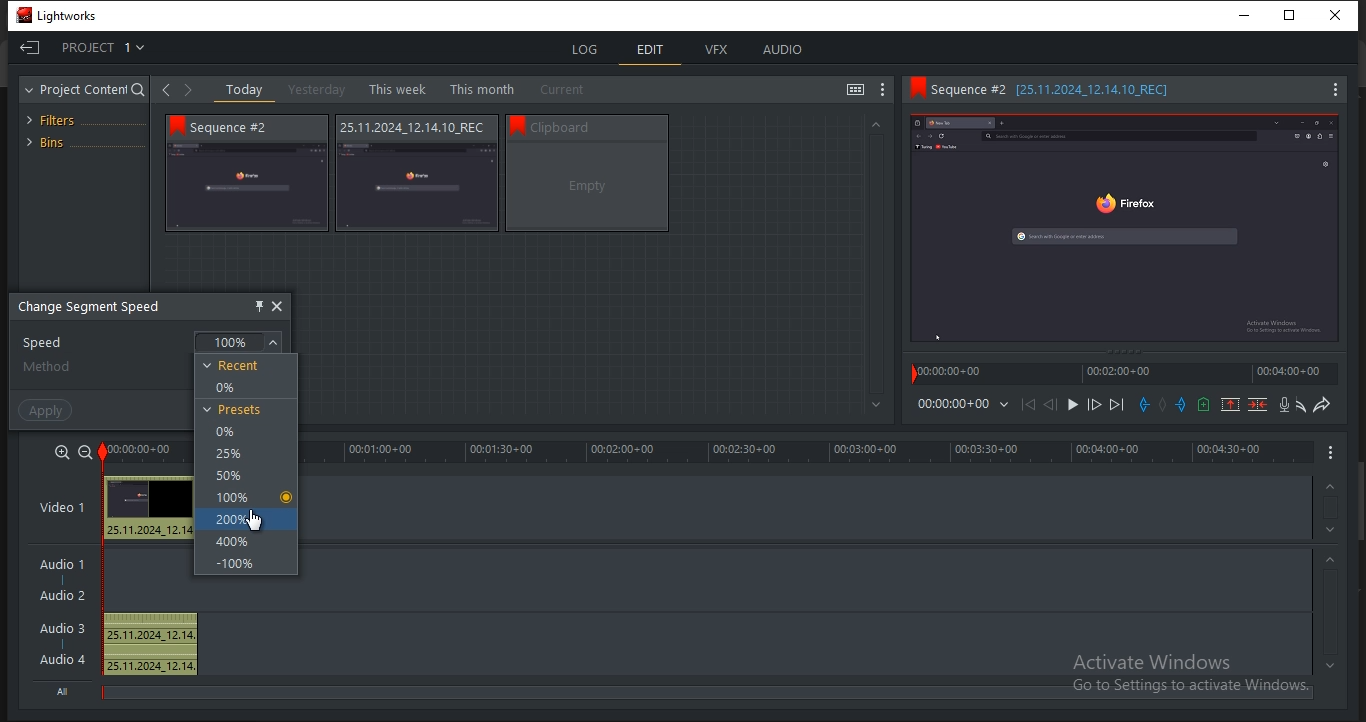 The image size is (1366, 722). I want to click on timeline, so click(804, 454).